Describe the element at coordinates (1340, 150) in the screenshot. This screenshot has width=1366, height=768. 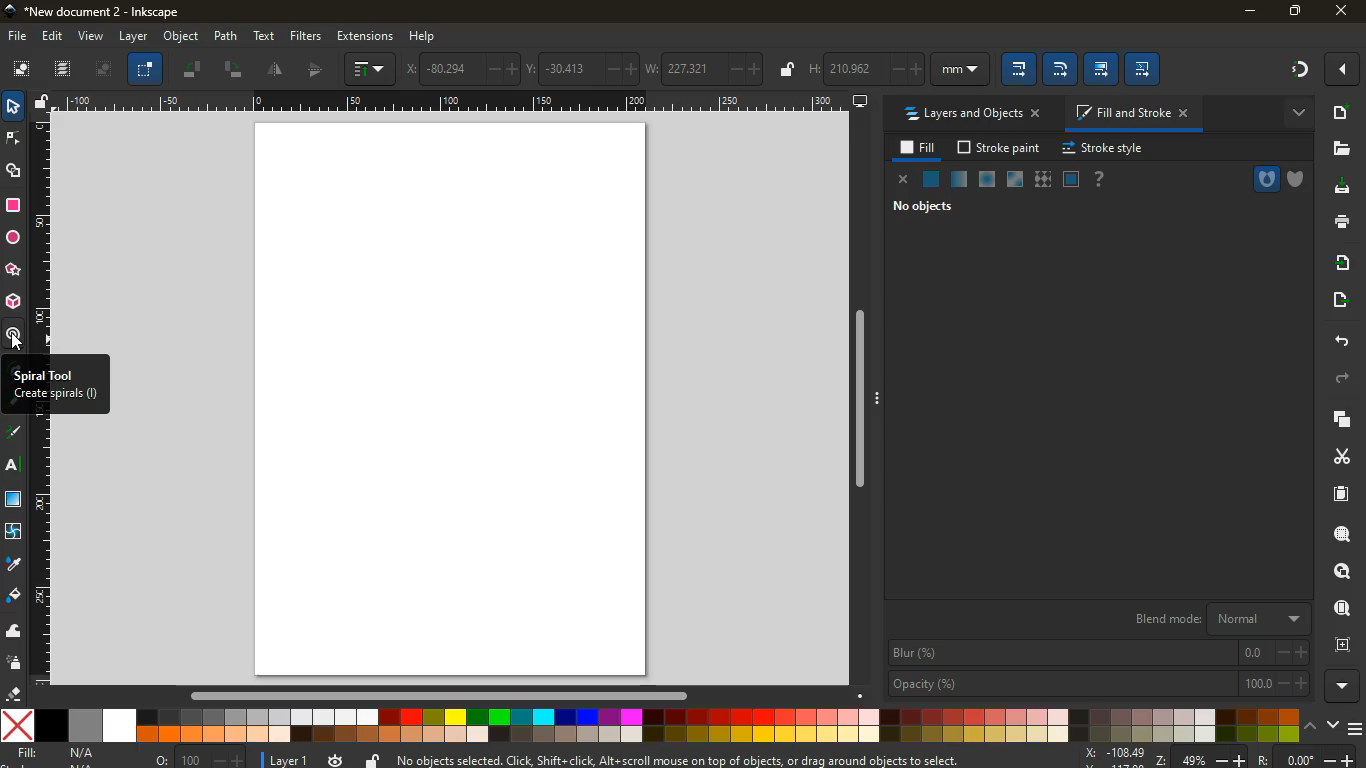
I see `file` at that location.